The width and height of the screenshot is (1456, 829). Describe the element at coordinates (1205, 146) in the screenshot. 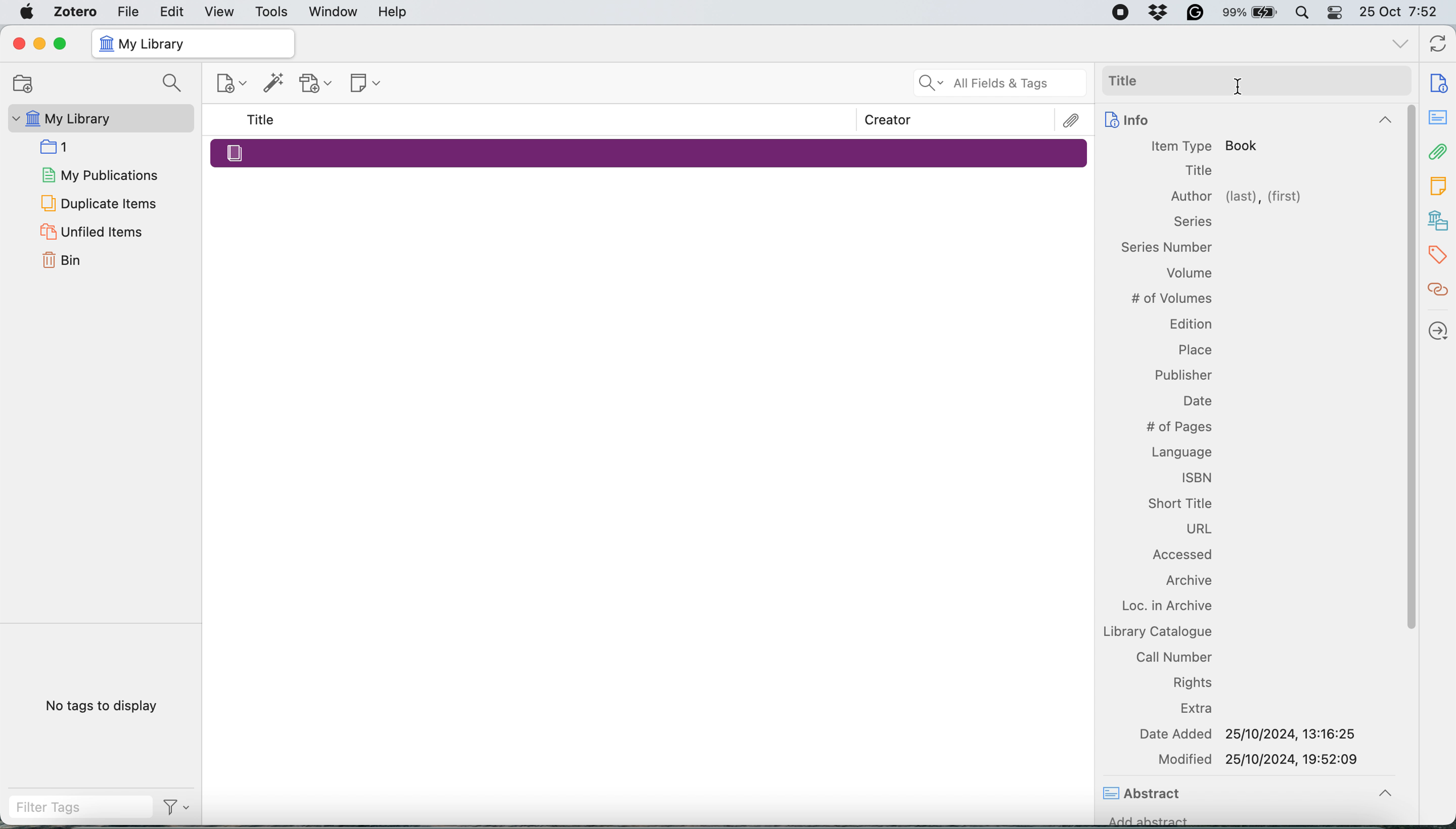

I see `Item Type Book` at that location.